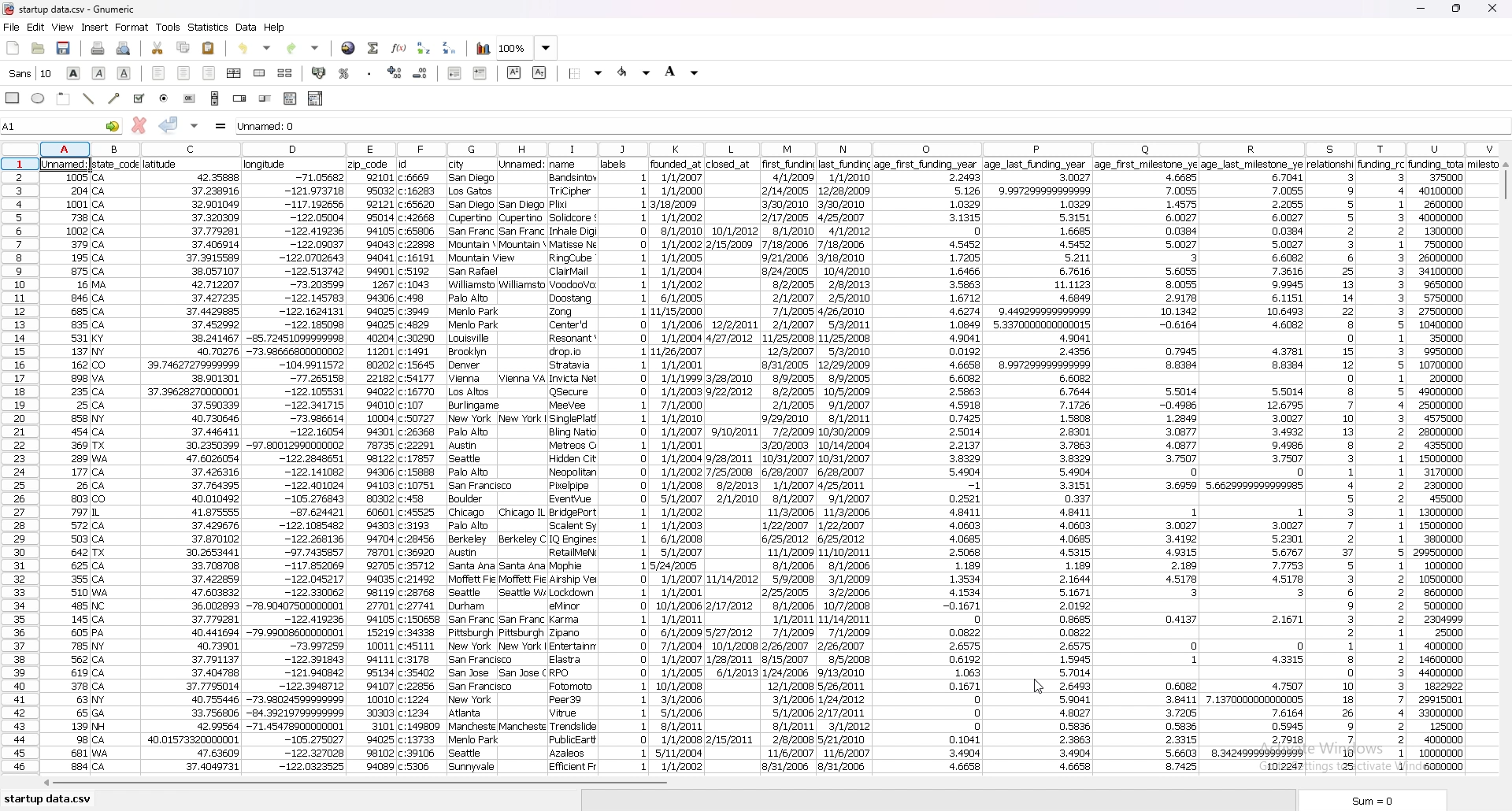 The image size is (1512, 811). Describe the element at coordinates (258, 46) in the screenshot. I see `undo` at that location.